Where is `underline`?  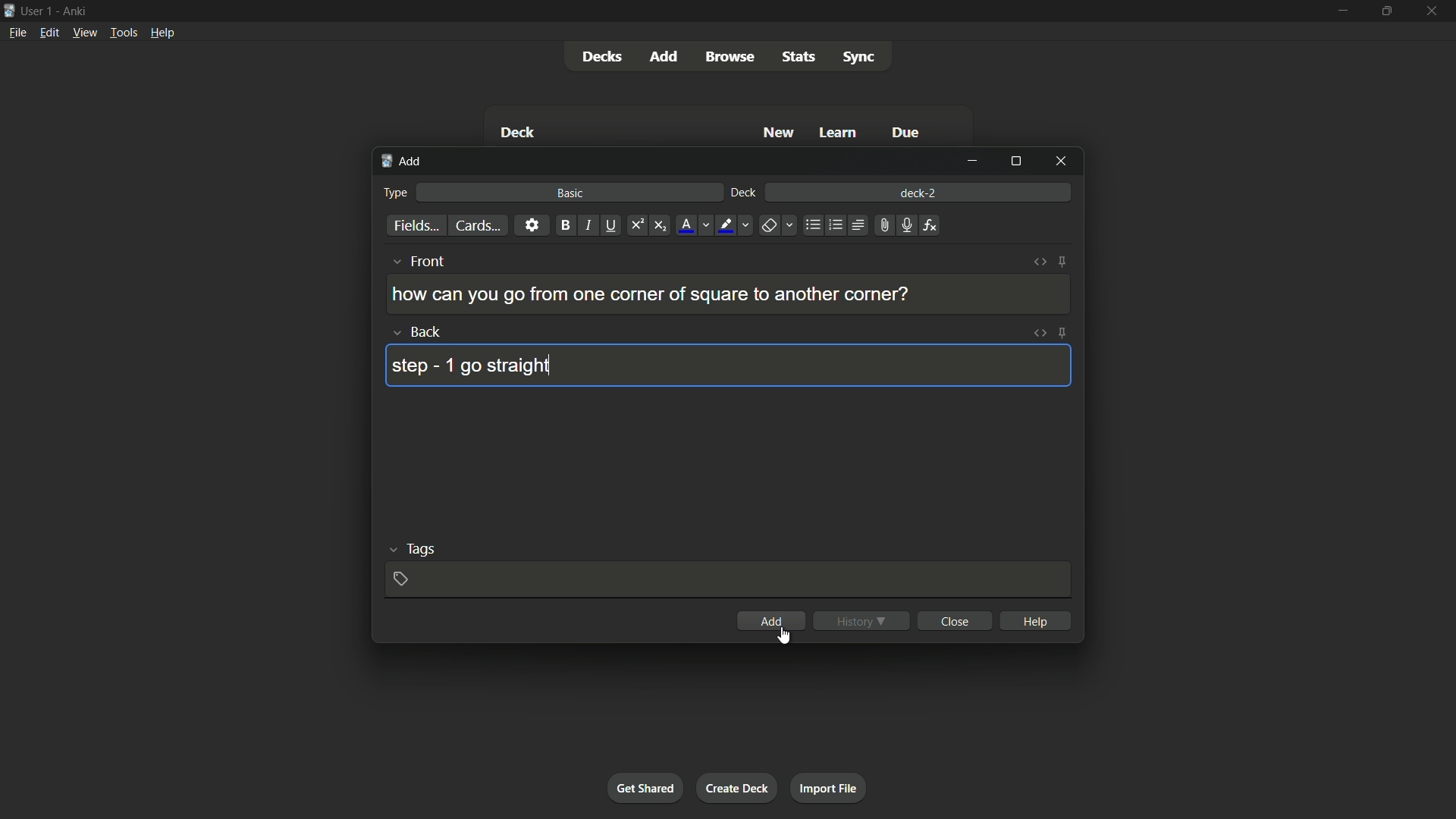 underline is located at coordinates (612, 226).